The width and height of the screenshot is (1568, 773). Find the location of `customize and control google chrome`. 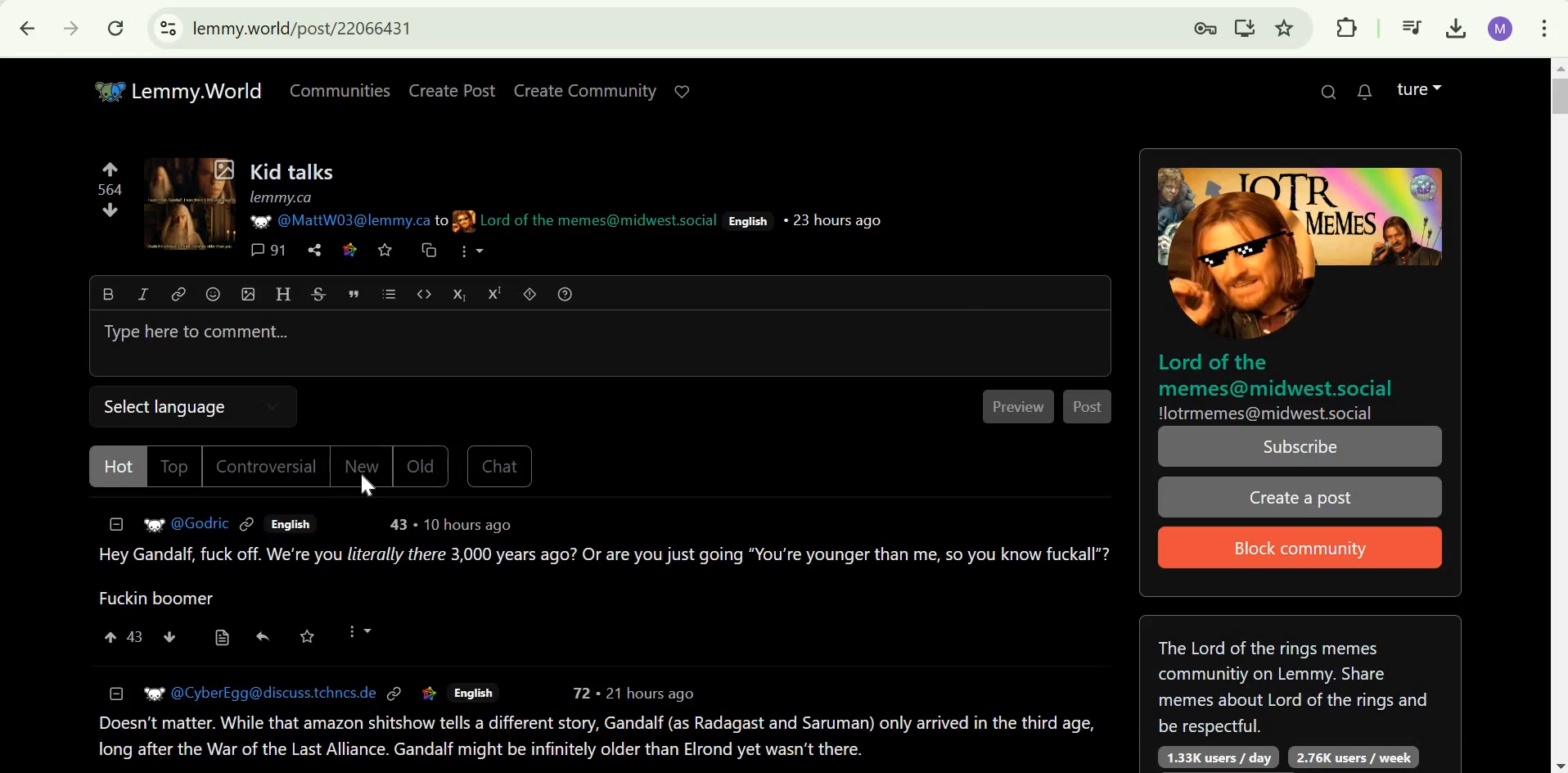

customize and control google chrome is located at coordinates (1544, 29).